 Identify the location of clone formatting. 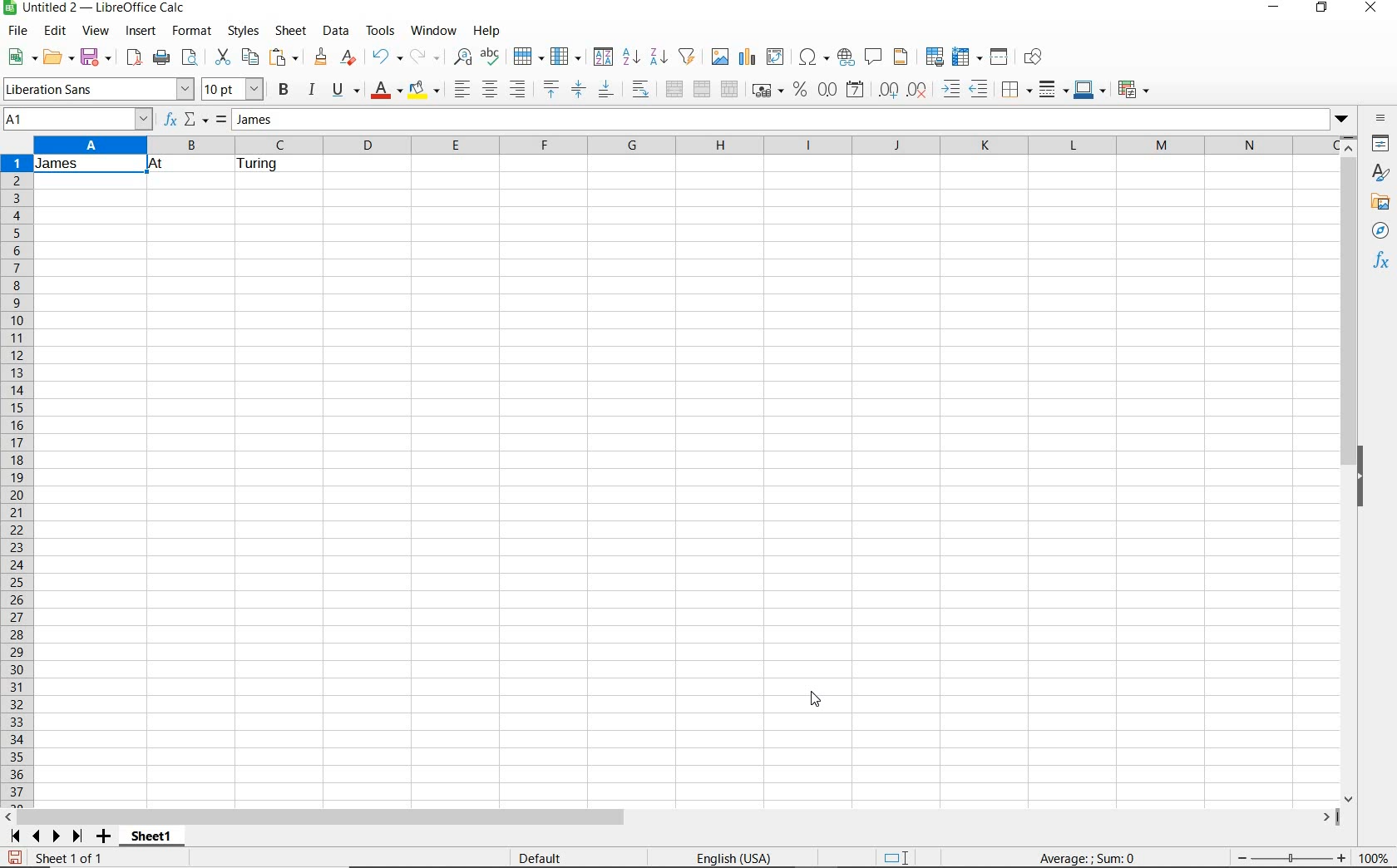
(320, 57).